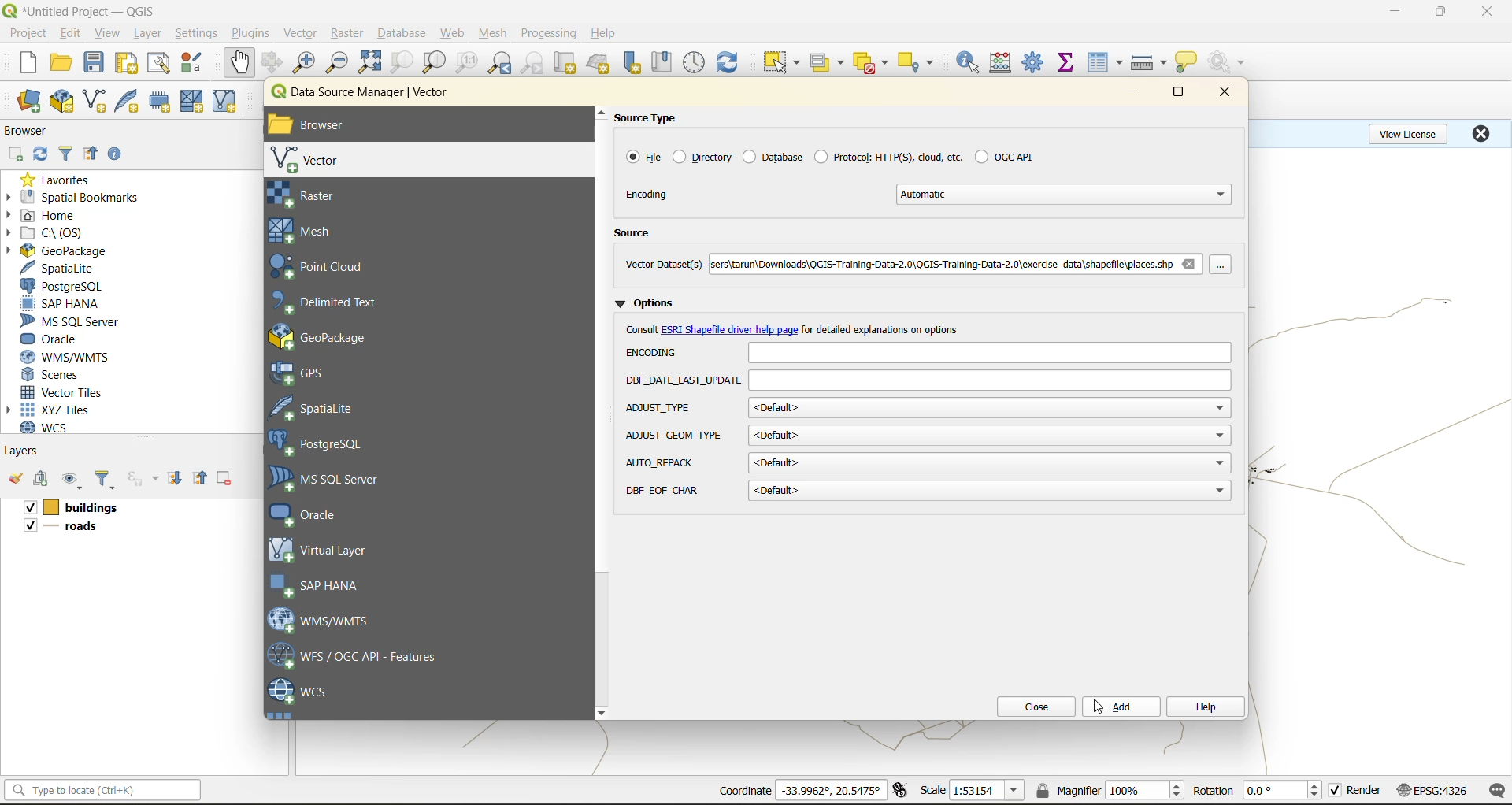  I want to click on show spatial bookmark, so click(667, 61).